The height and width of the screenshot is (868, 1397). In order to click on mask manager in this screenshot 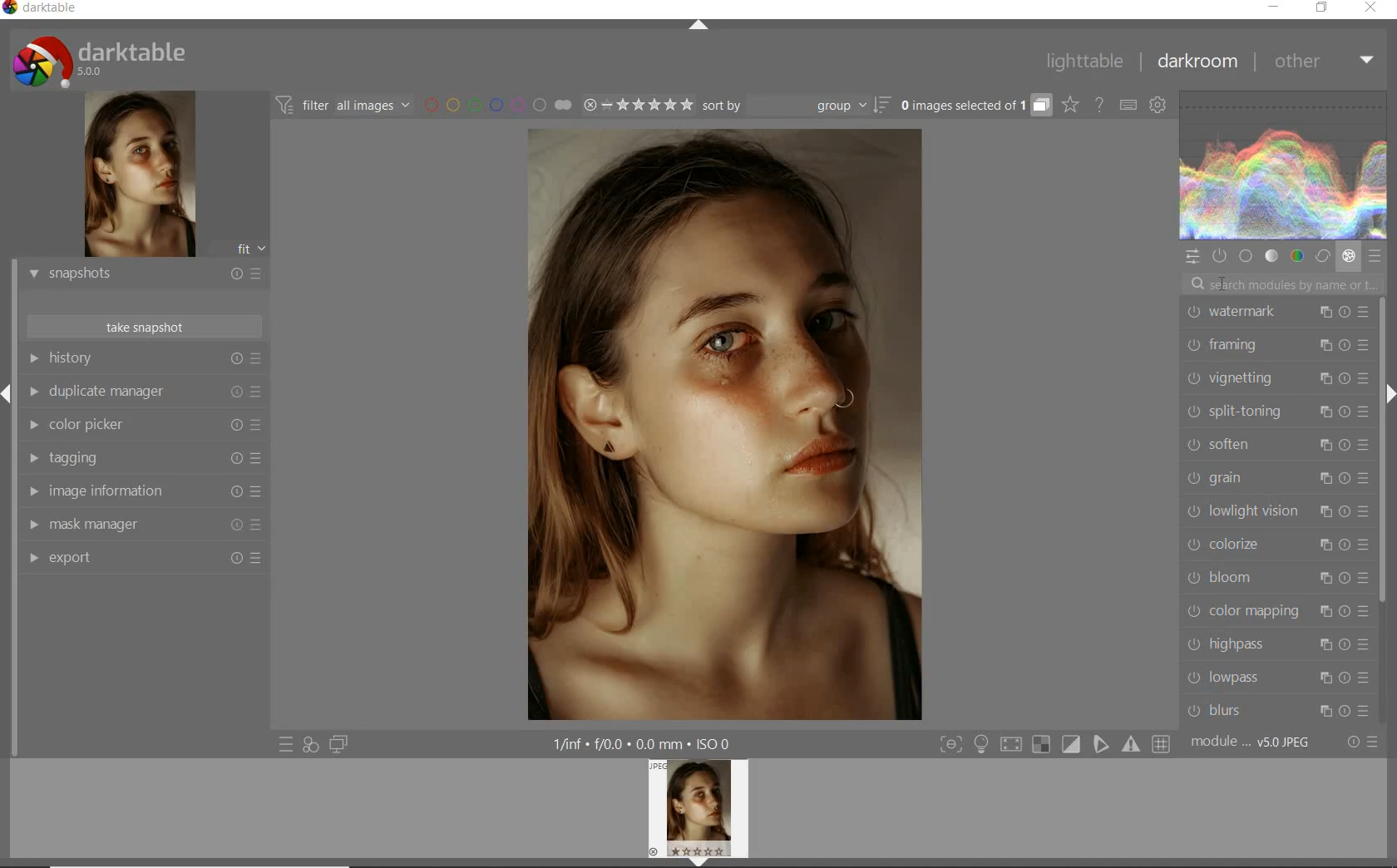, I will do `click(147, 525)`.